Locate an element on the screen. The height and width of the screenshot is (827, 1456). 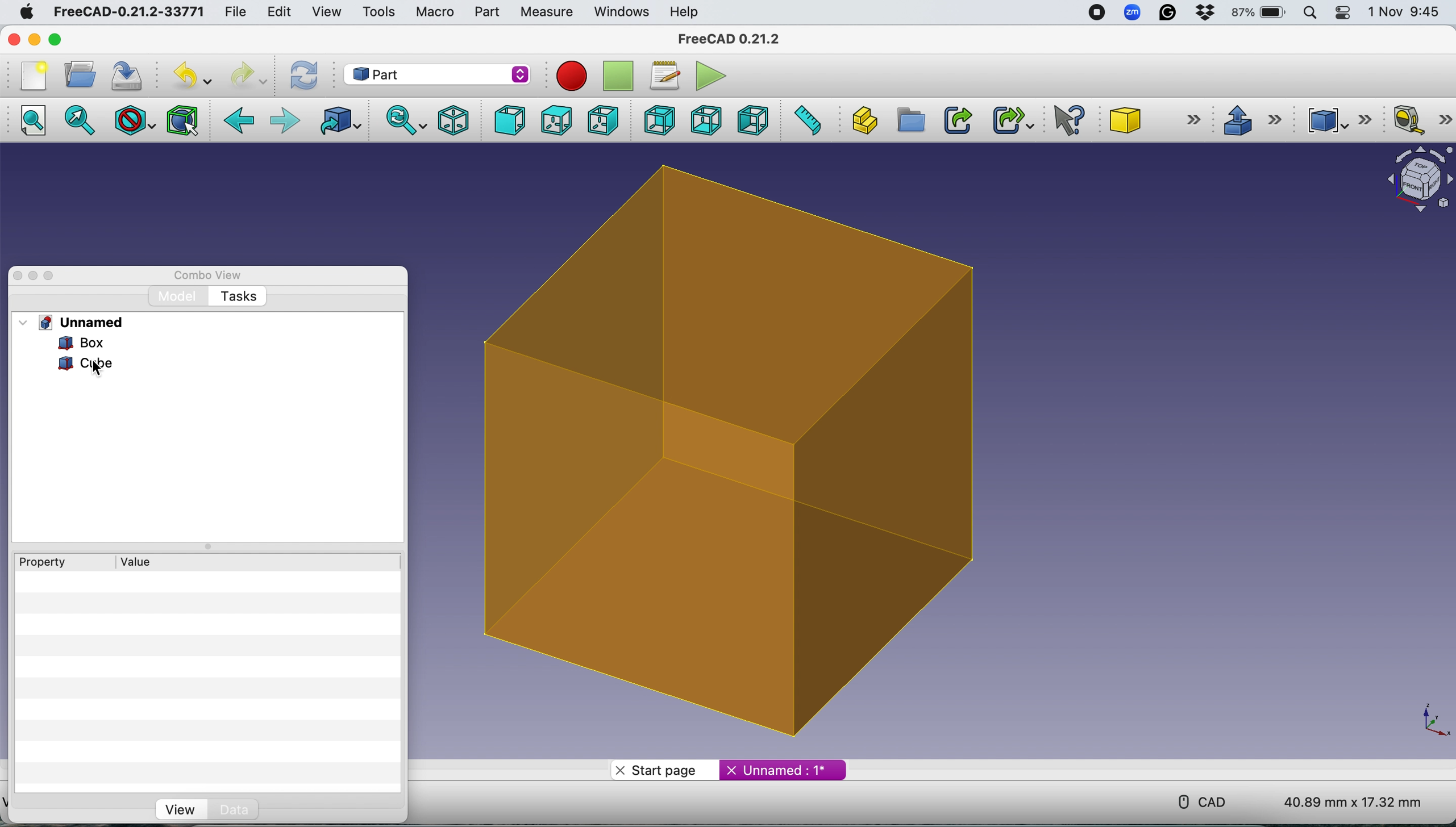
Help is located at coordinates (685, 11).